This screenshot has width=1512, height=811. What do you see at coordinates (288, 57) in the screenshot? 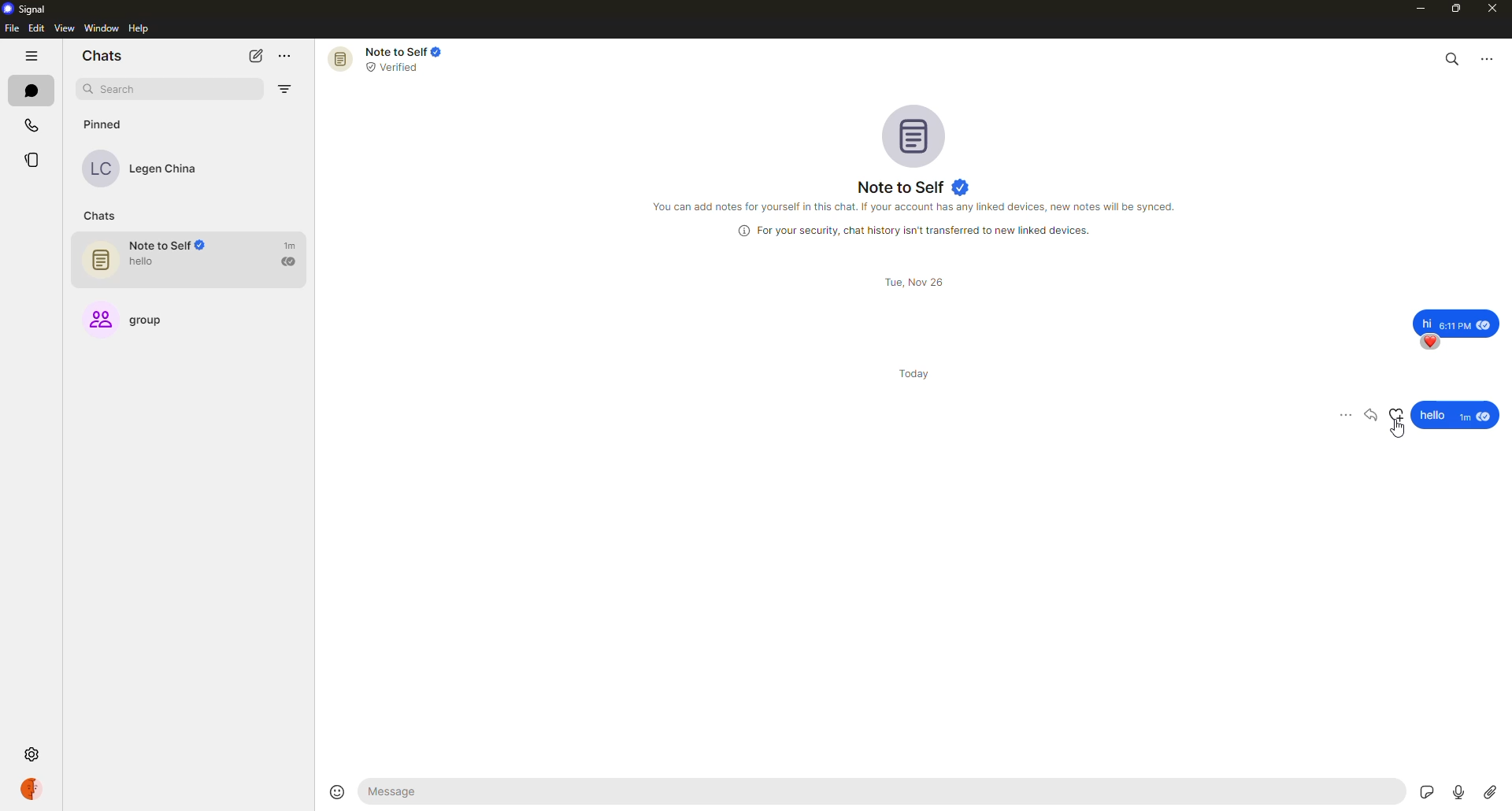
I see `more` at bounding box center [288, 57].